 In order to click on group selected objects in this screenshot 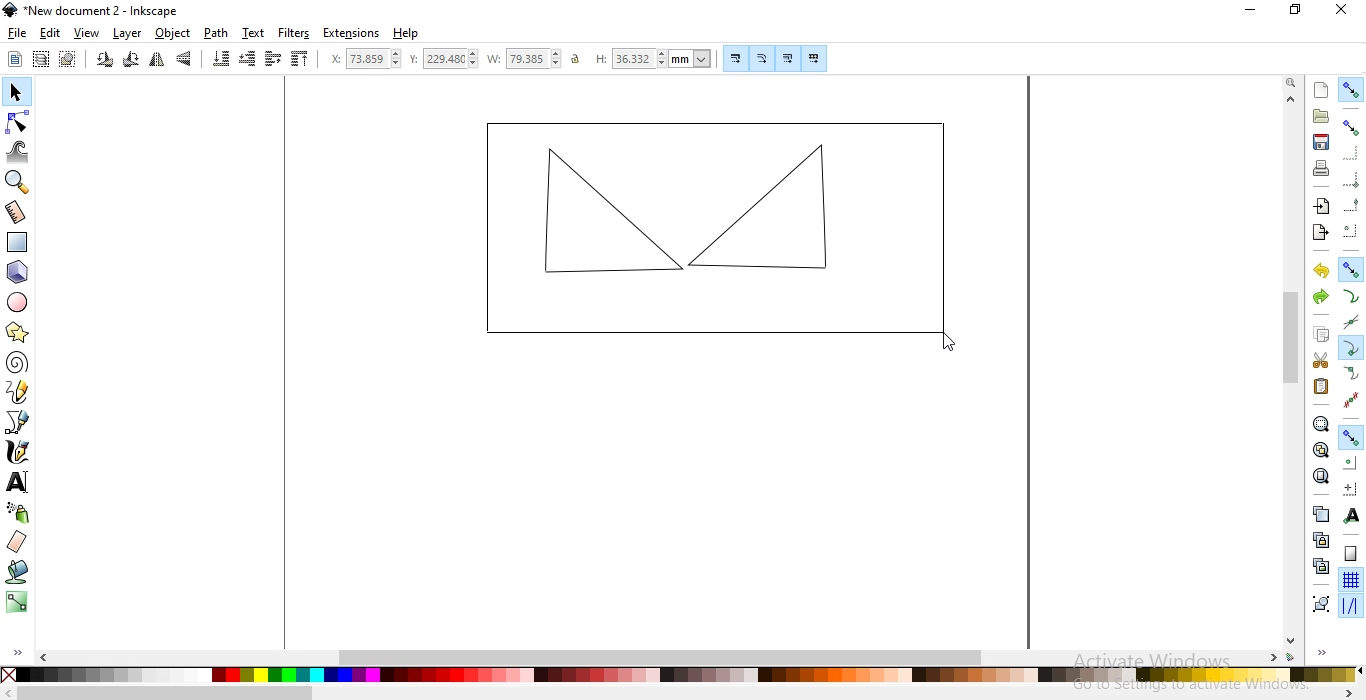, I will do `click(1319, 601)`.